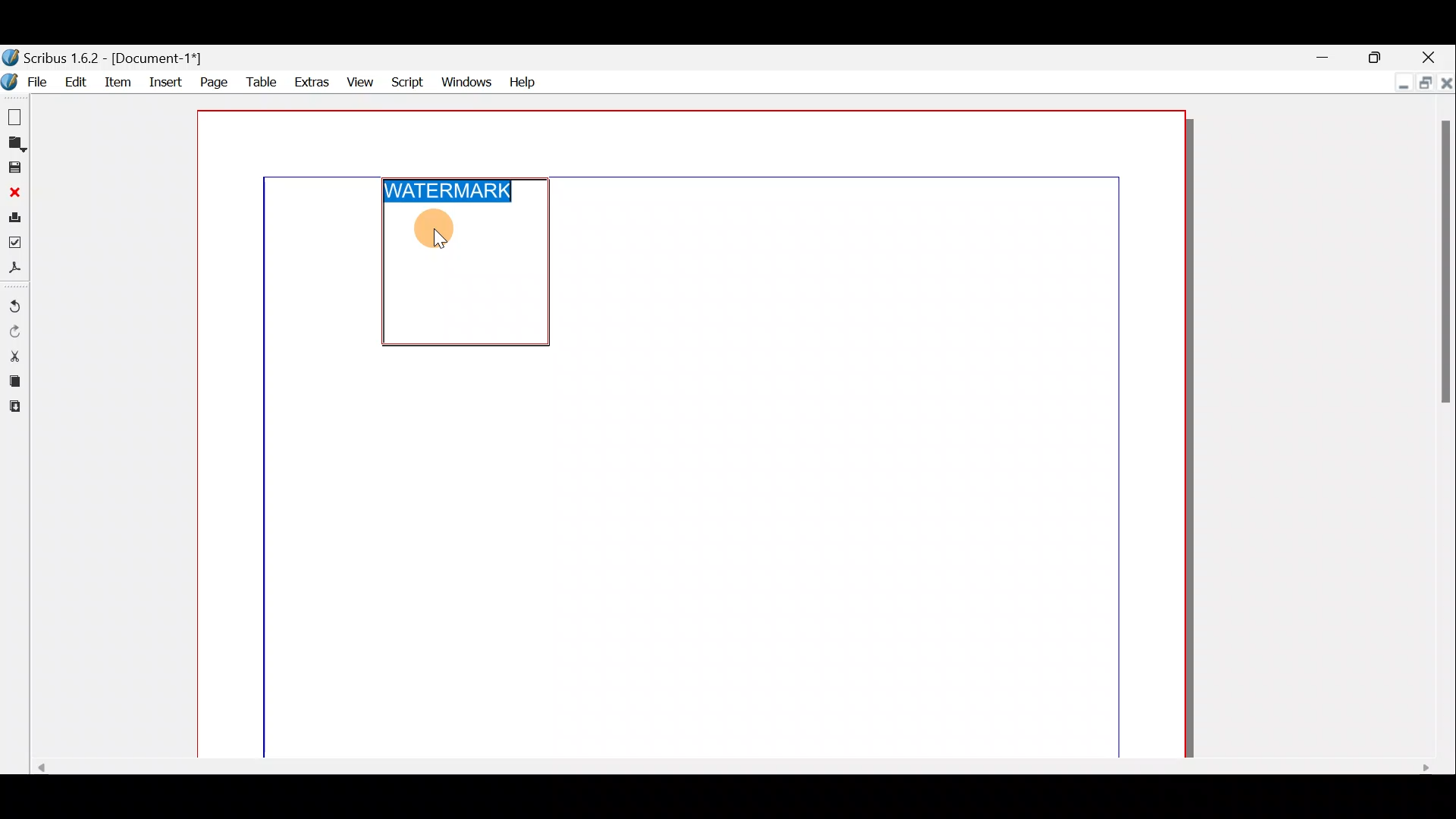 This screenshot has width=1456, height=819. What do you see at coordinates (1423, 81) in the screenshot?
I see `Maximise` at bounding box center [1423, 81].